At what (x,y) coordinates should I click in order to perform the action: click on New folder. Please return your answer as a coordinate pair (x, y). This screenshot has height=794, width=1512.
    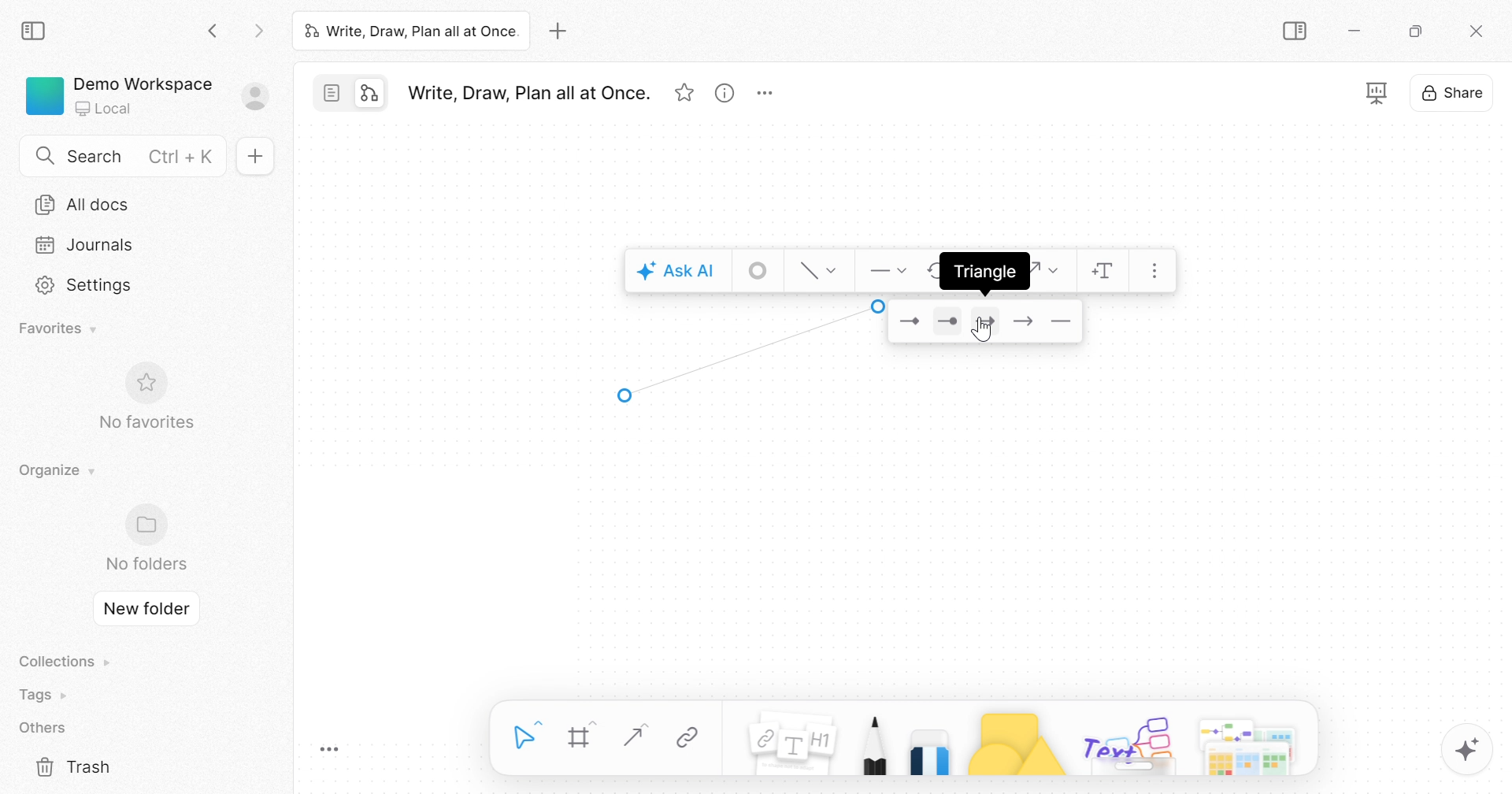
    Looking at the image, I should click on (147, 609).